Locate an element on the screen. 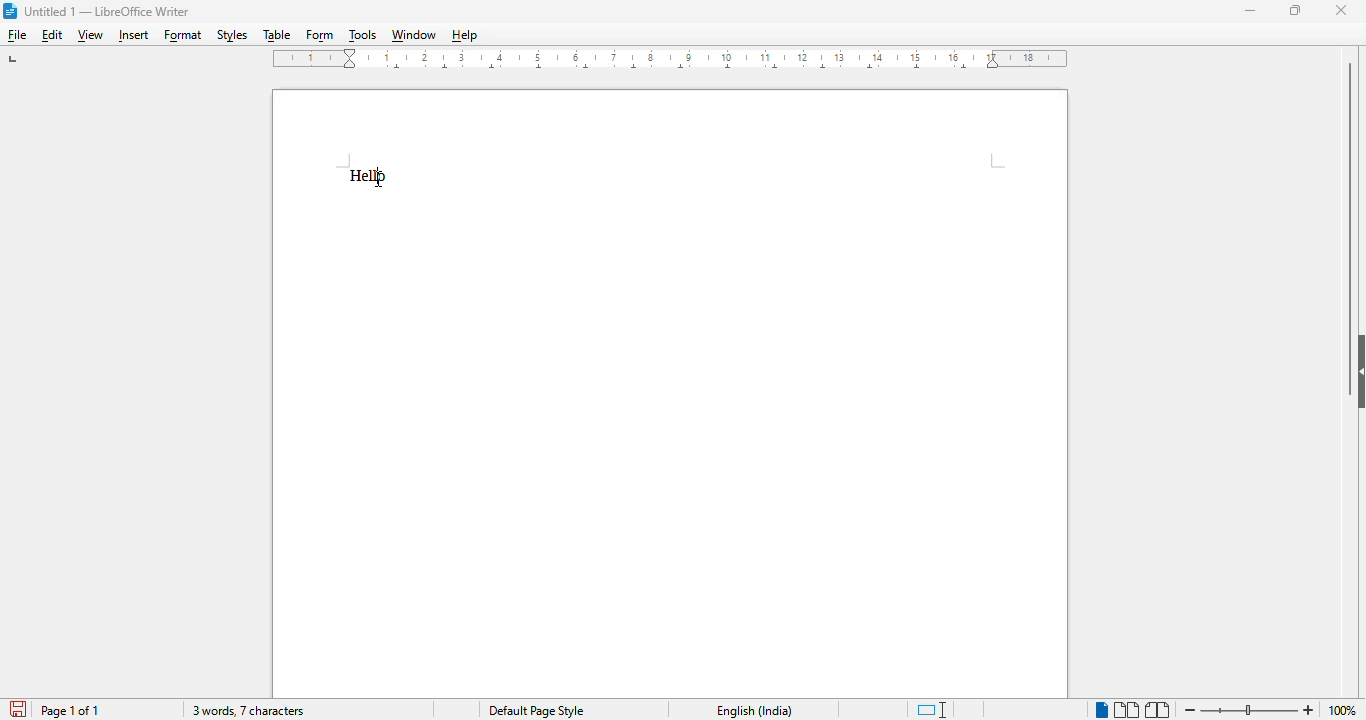 This screenshot has height=720, width=1366. minimize is located at coordinates (1251, 11).